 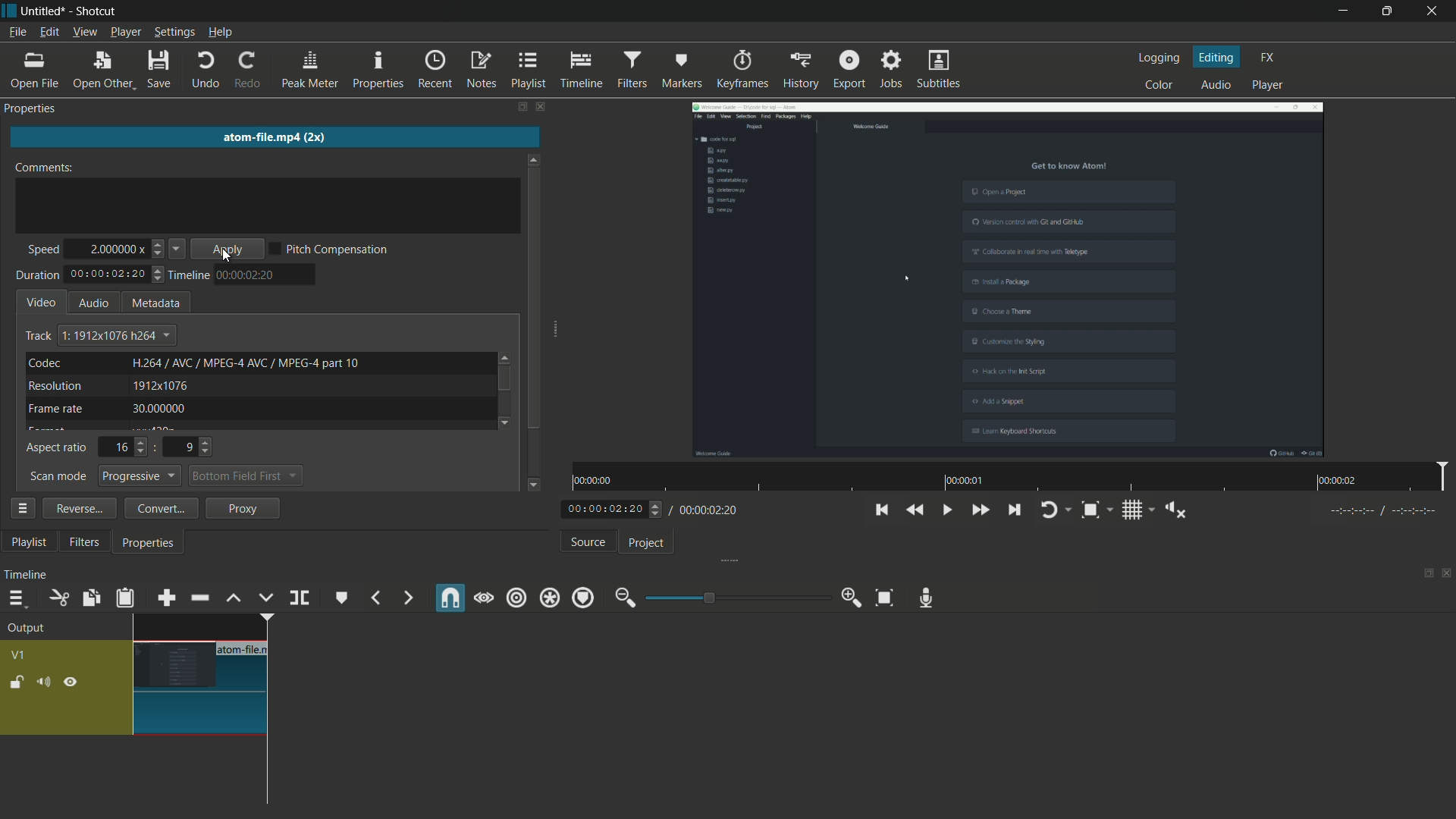 I want to click on editing, so click(x=1218, y=58).